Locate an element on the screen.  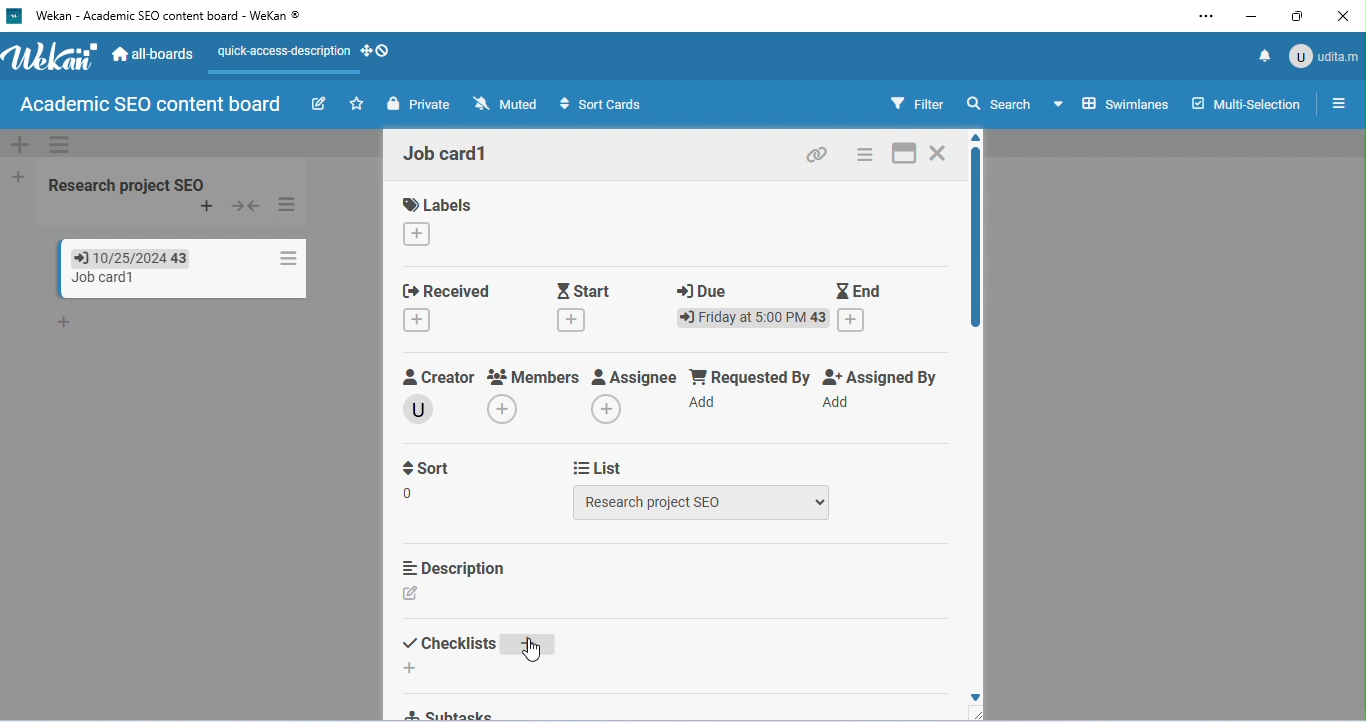
select board view is located at coordinates (1111, 103).